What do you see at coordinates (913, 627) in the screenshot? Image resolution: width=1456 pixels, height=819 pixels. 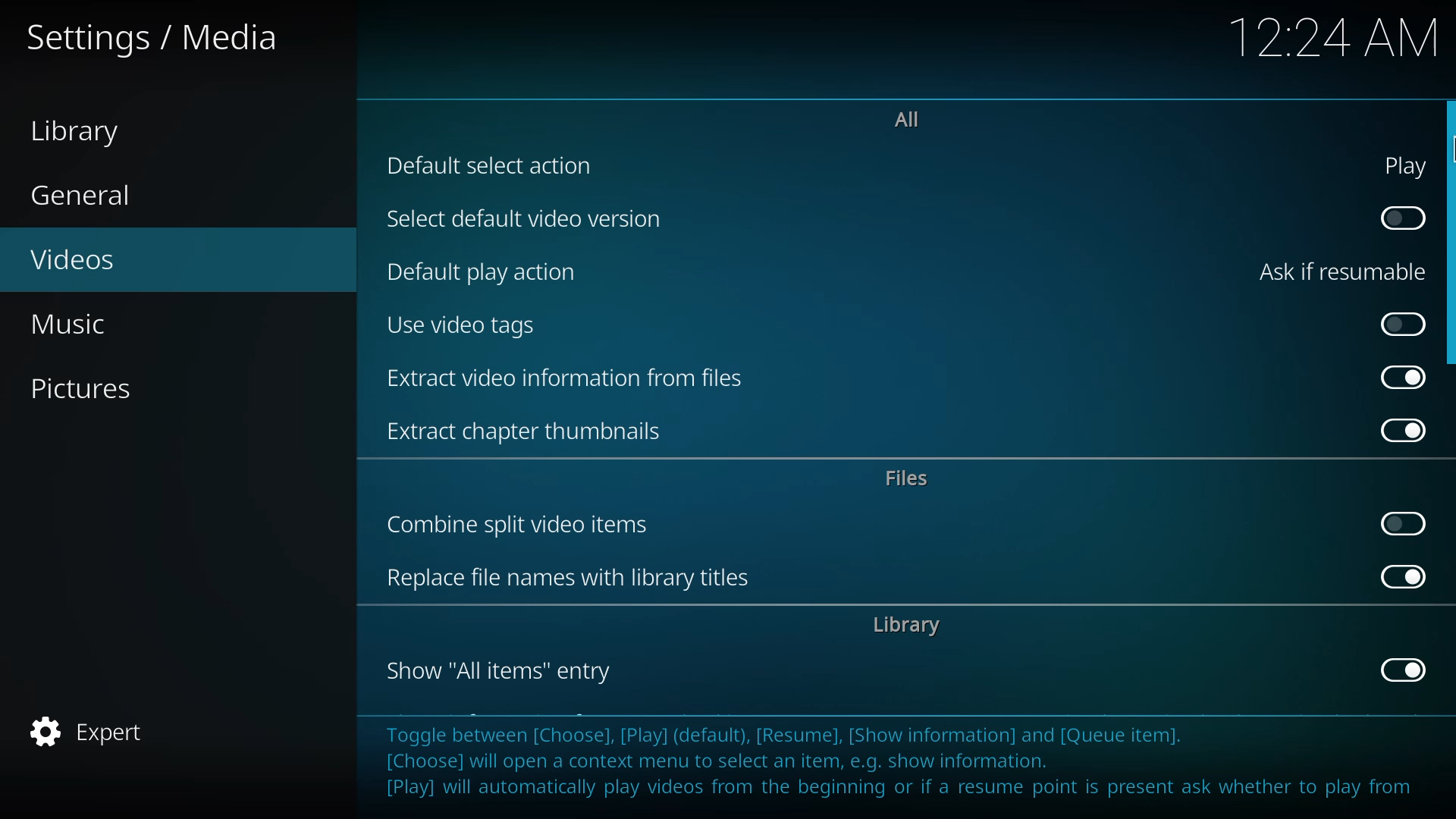 I see `library` at bounding box center [913, 627].